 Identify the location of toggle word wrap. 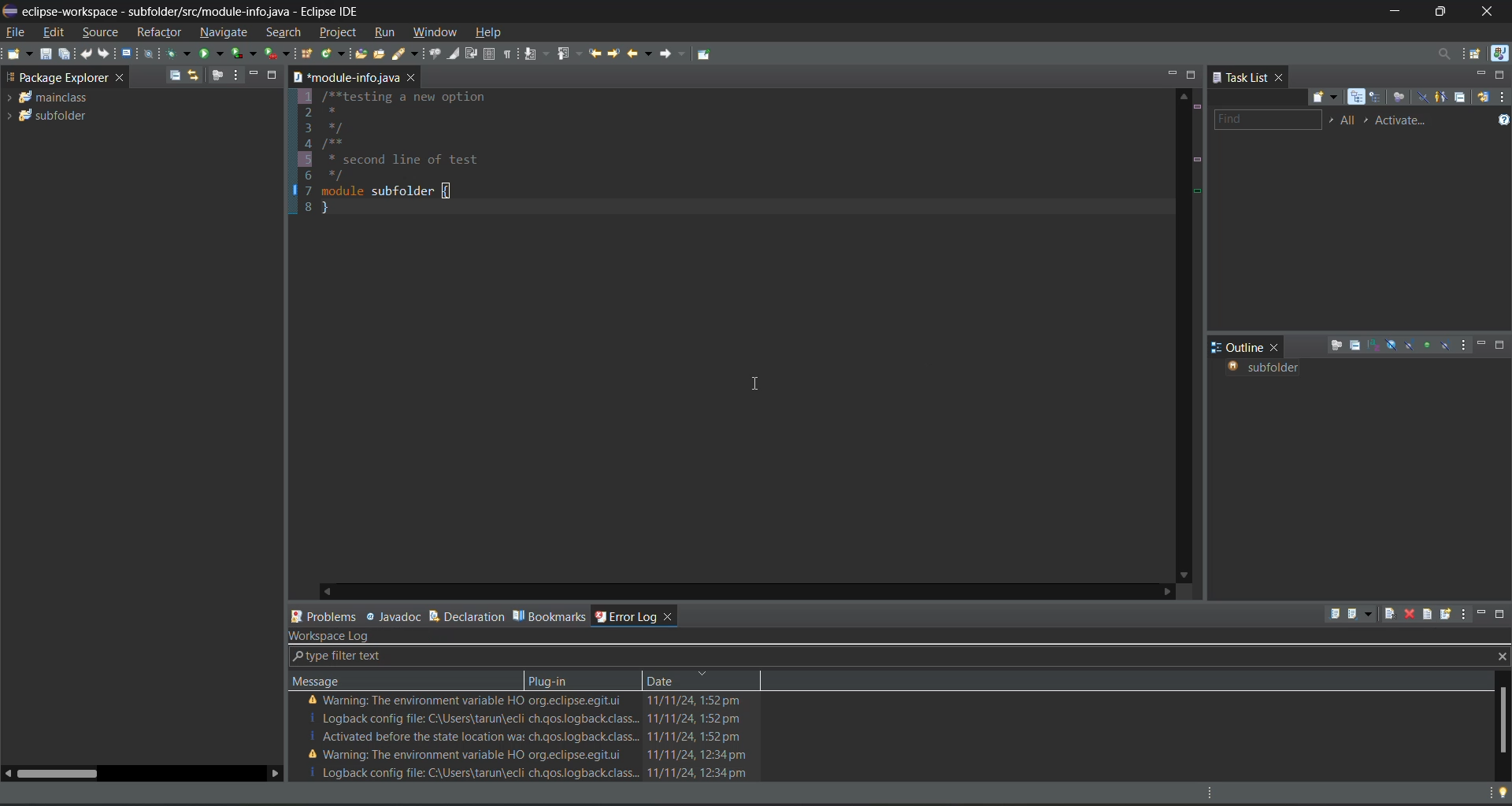
(473, 55).